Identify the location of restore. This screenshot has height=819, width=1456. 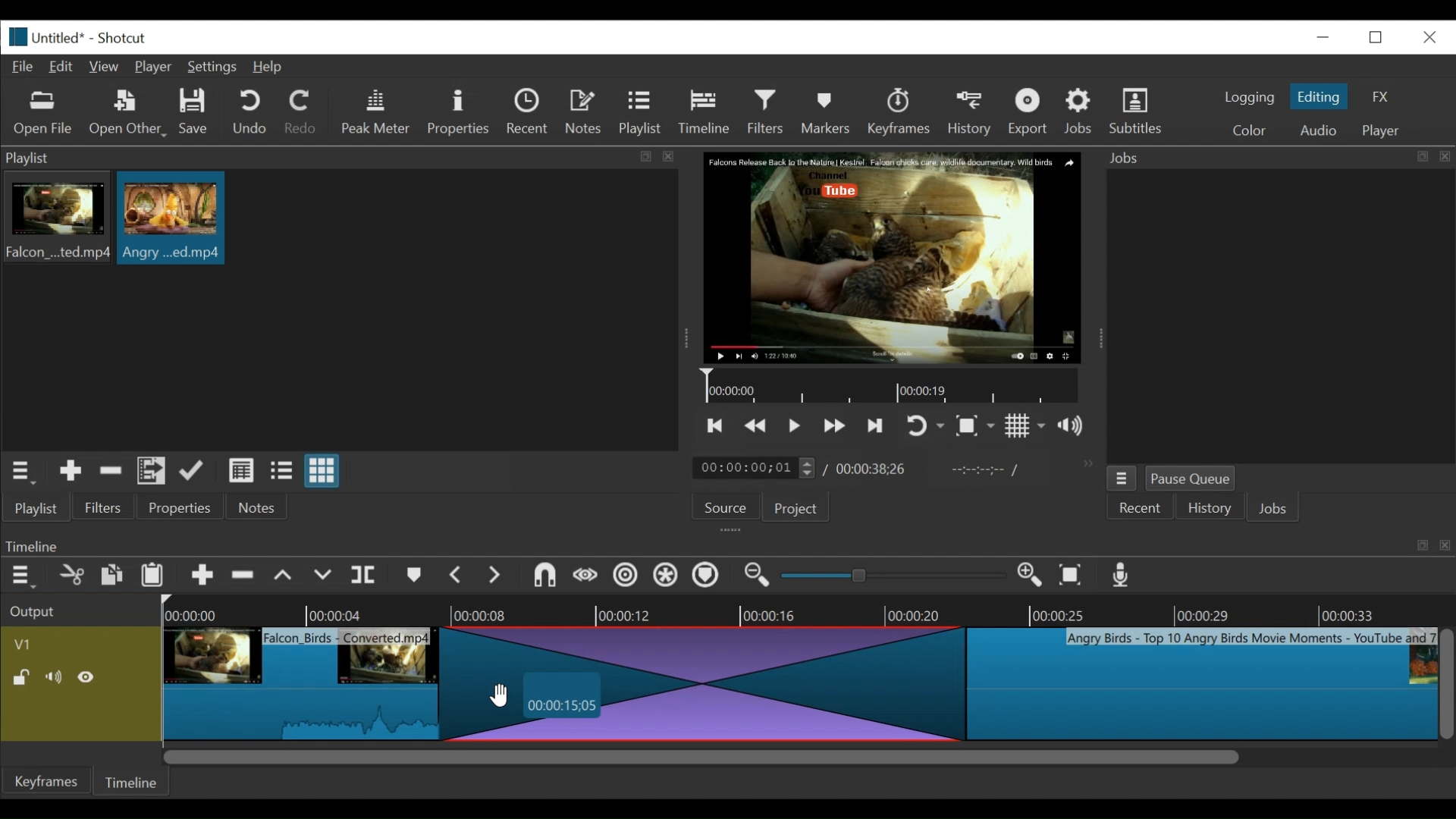
(1380, 36).